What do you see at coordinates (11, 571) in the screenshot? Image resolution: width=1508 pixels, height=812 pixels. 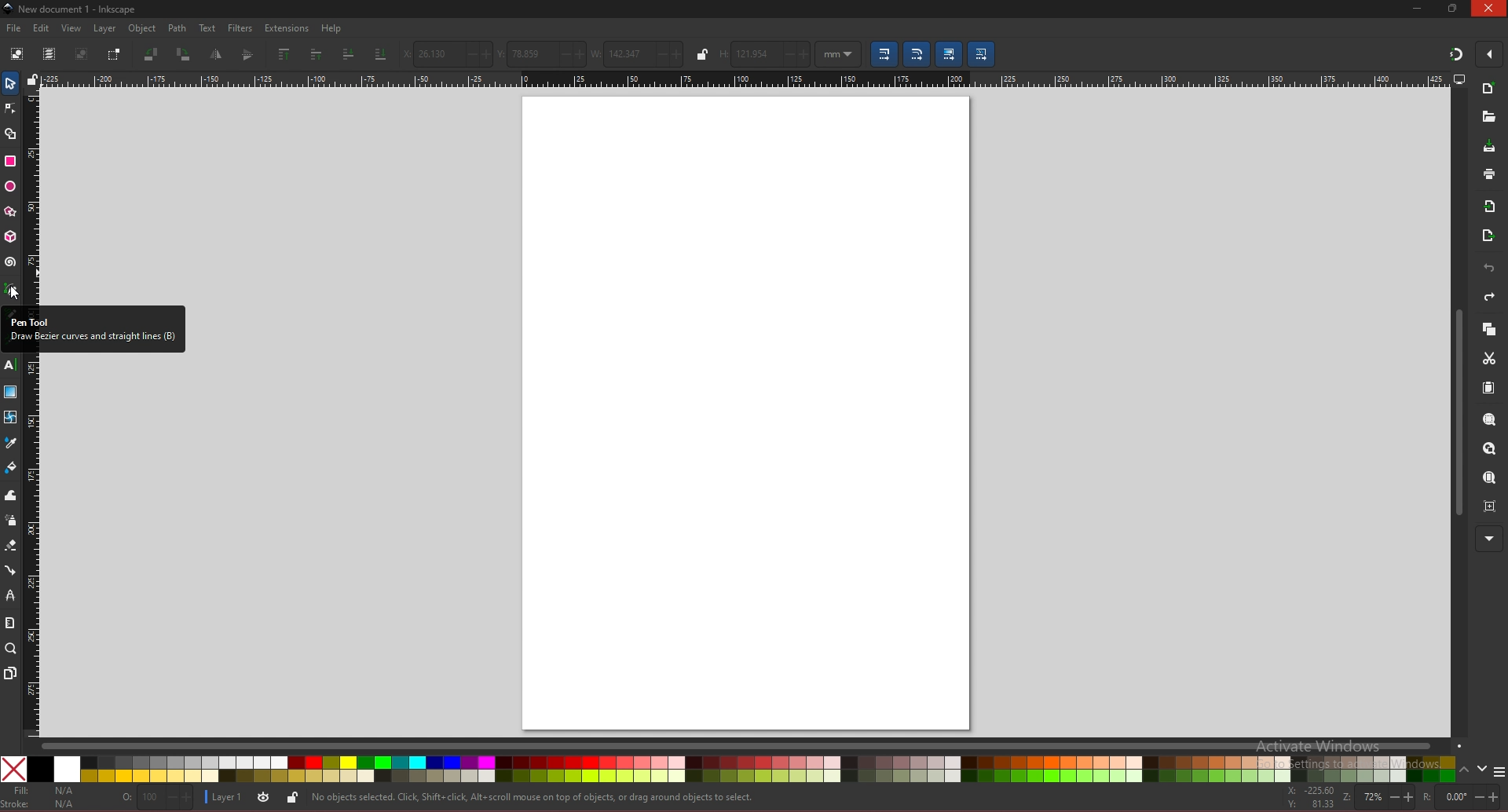 I see `connector` at bounding box center [11, 571].